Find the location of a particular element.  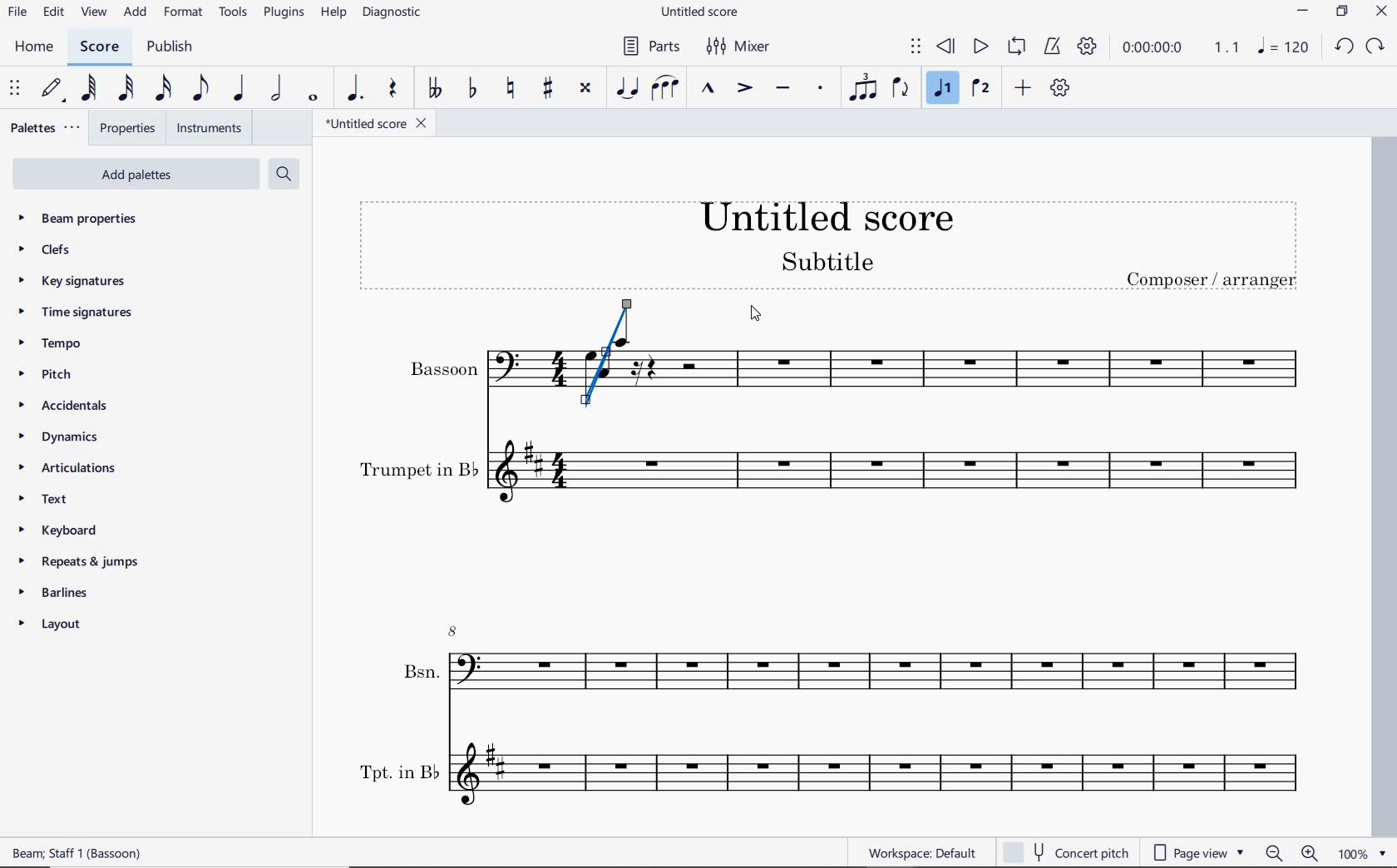

select to move is located at coordinates (916, 46).